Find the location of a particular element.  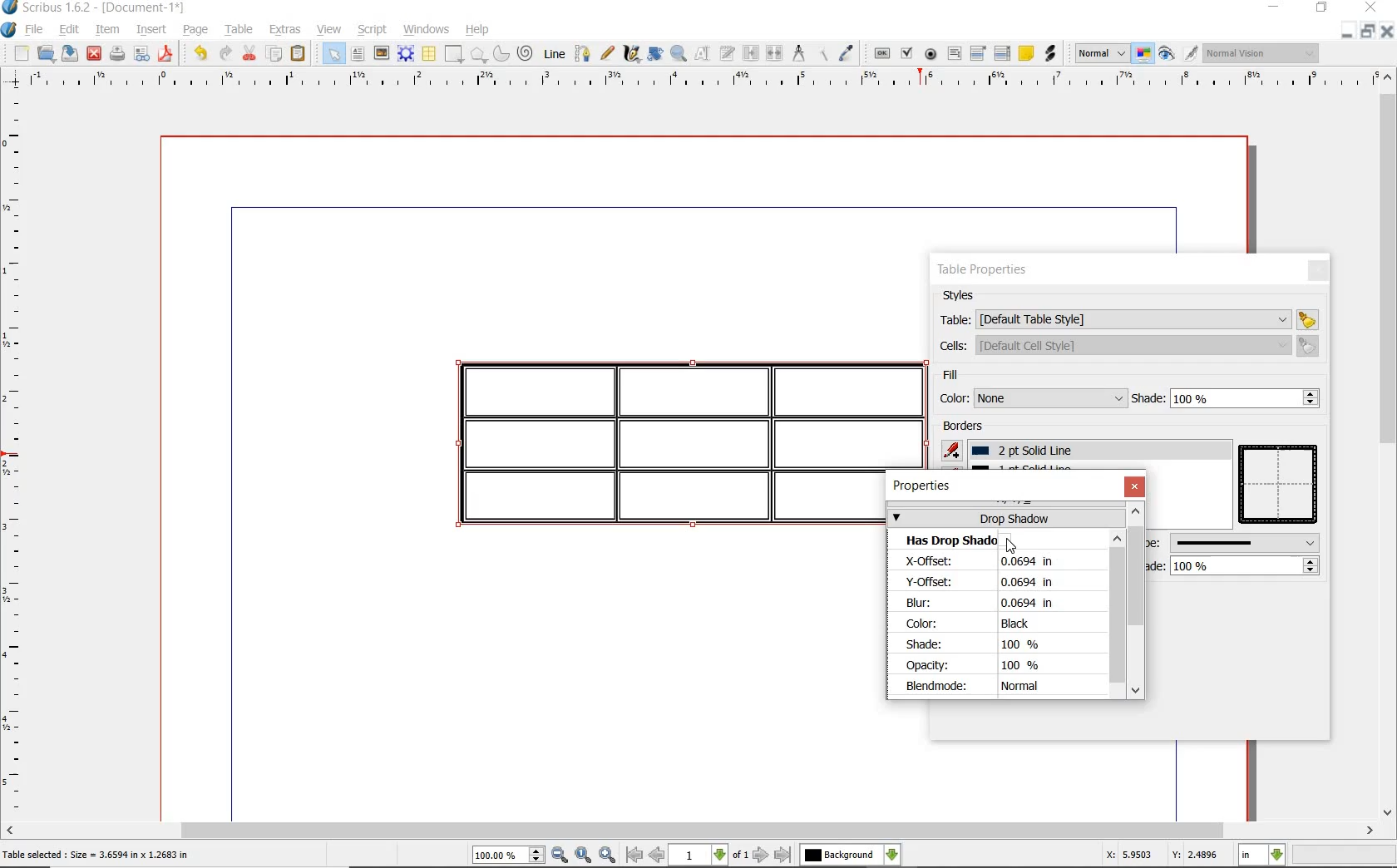

measurements is located at coordinates (799, 52).